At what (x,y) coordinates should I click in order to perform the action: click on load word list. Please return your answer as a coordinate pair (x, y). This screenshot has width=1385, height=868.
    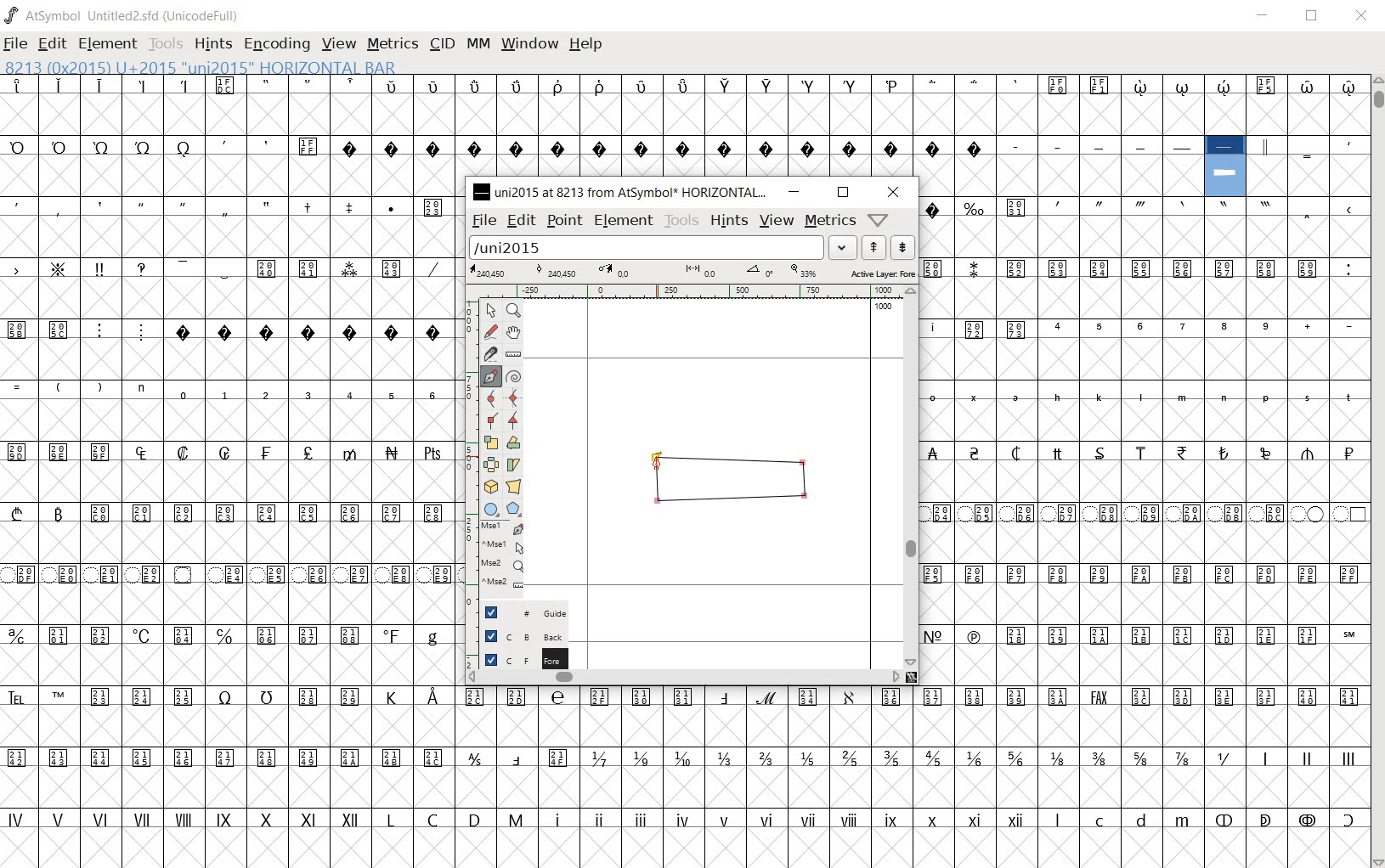
    Looking at the image, I should click on (661, 248).